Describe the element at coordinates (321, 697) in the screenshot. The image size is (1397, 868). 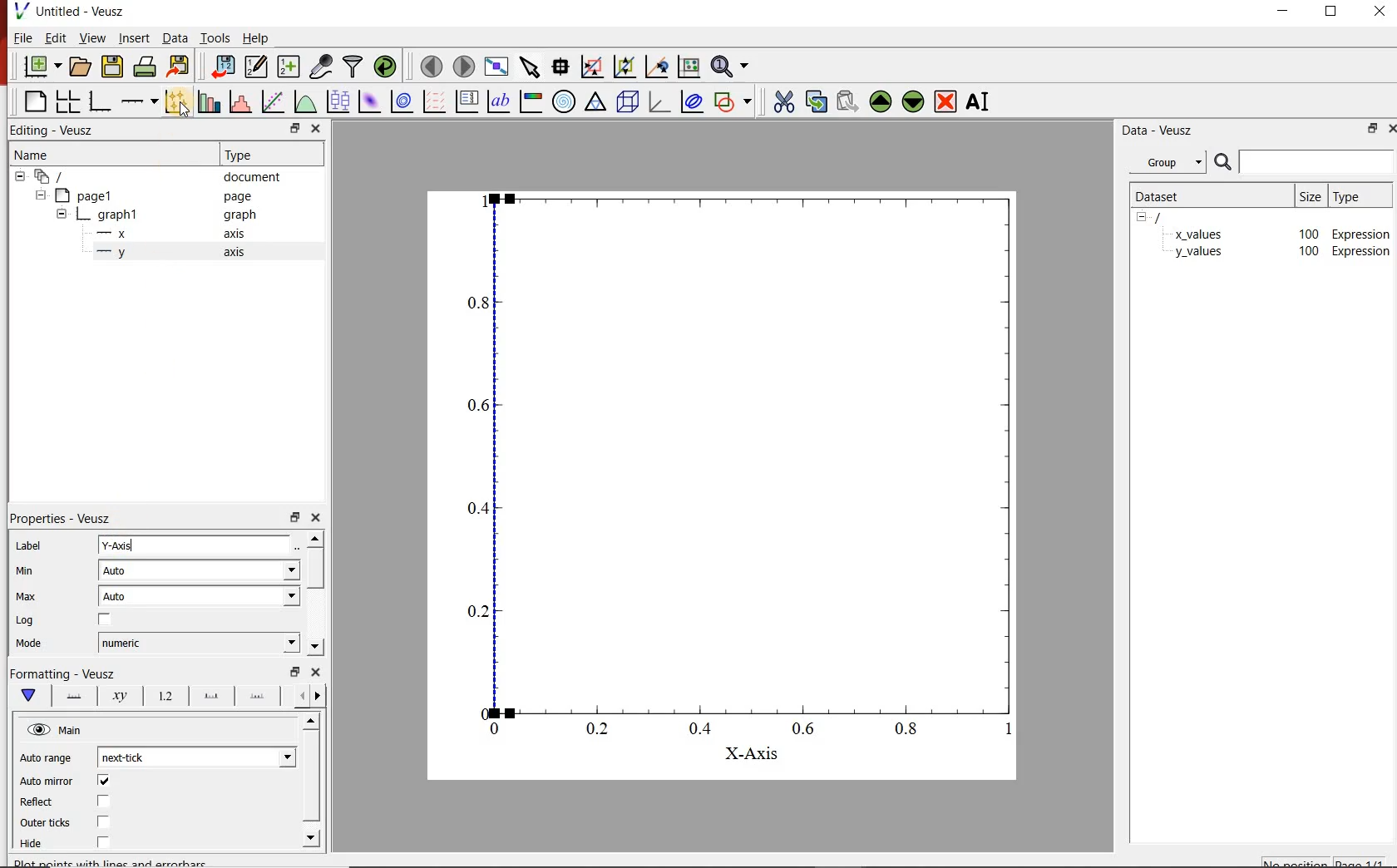
I see `previous options` at that location.